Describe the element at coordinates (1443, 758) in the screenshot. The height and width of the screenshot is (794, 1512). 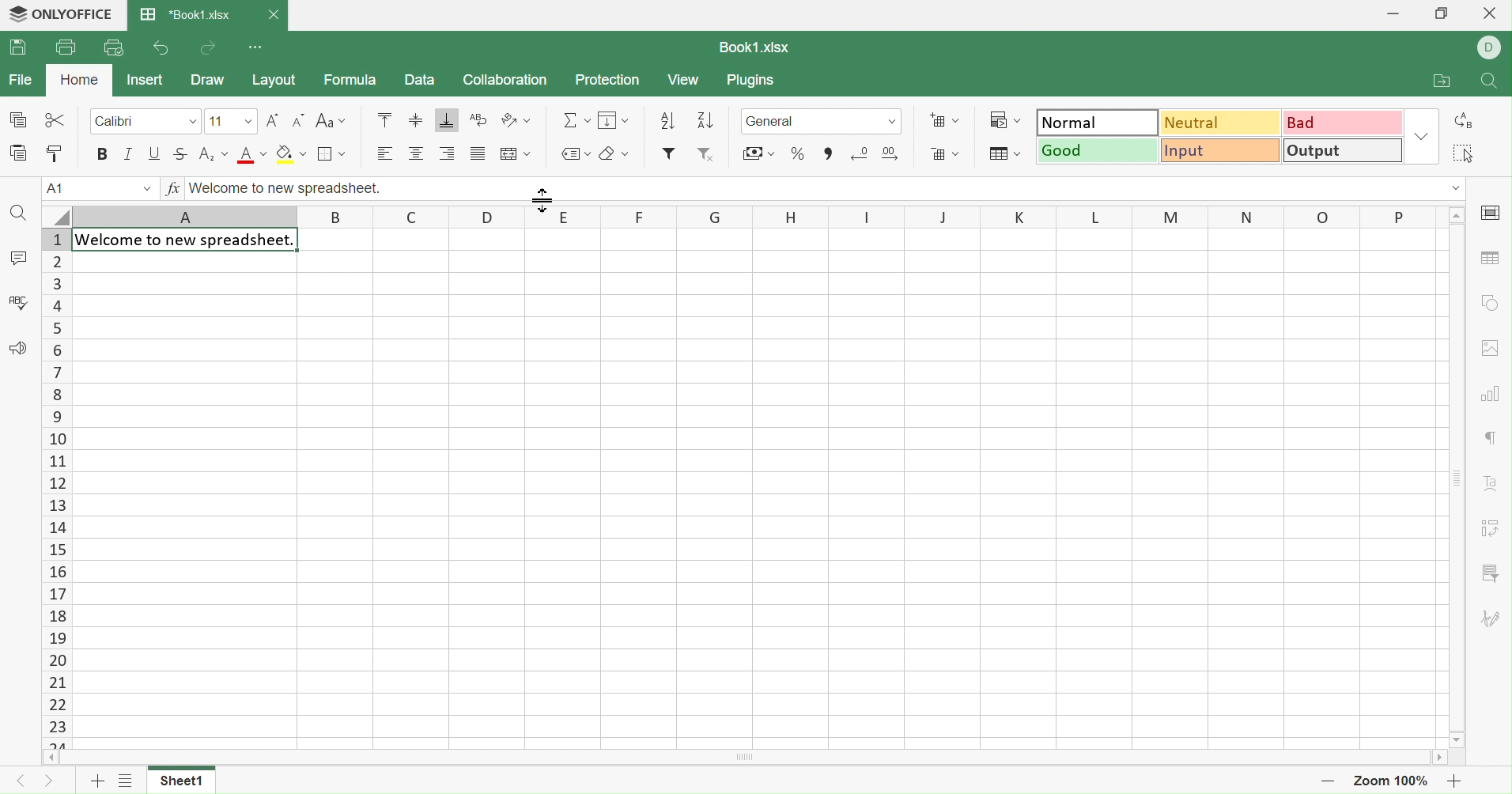
I see `Scroll Right` at that location.